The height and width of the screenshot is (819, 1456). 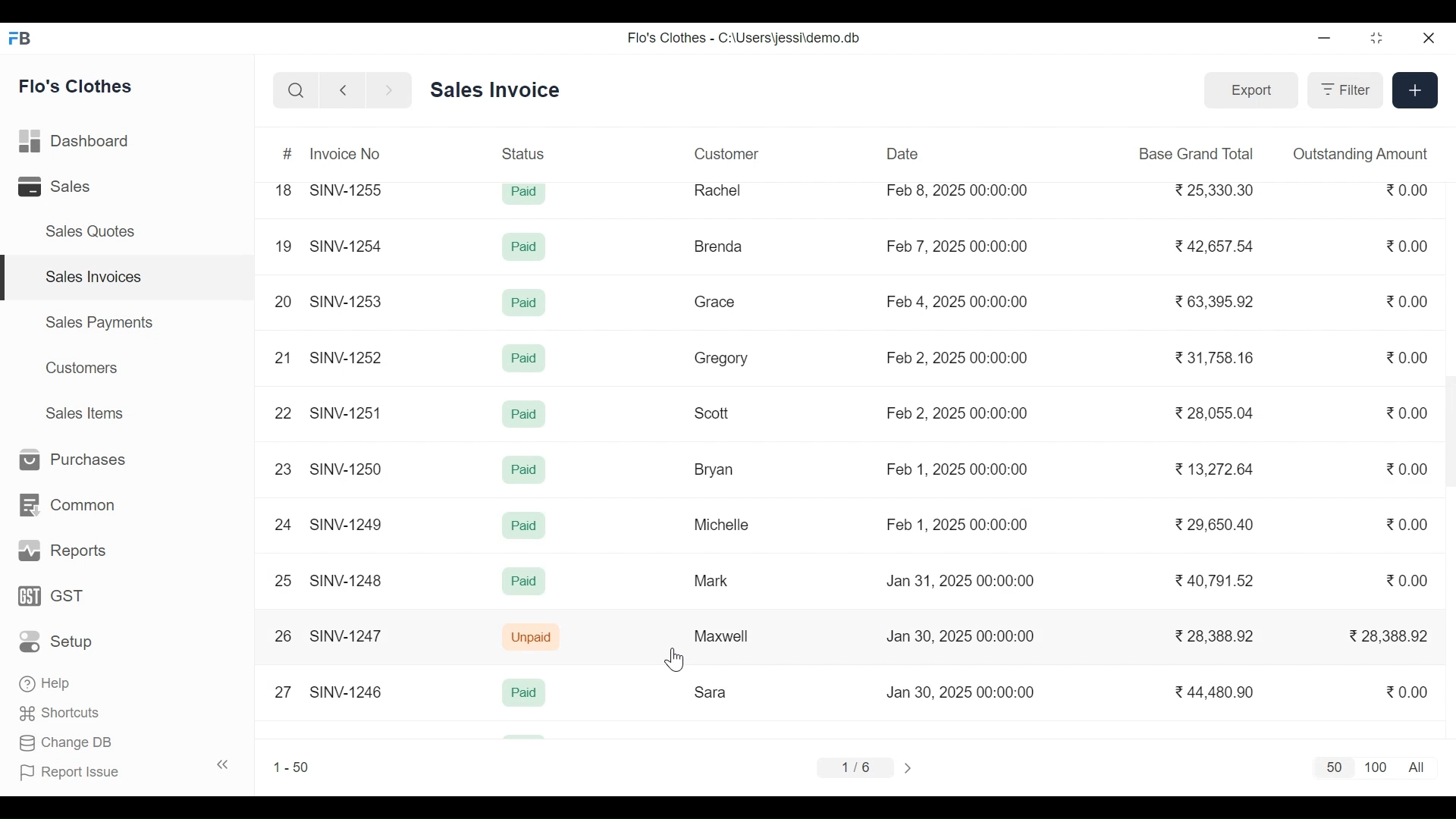 I want to click on 0.00, so click(x=1409, y=690).